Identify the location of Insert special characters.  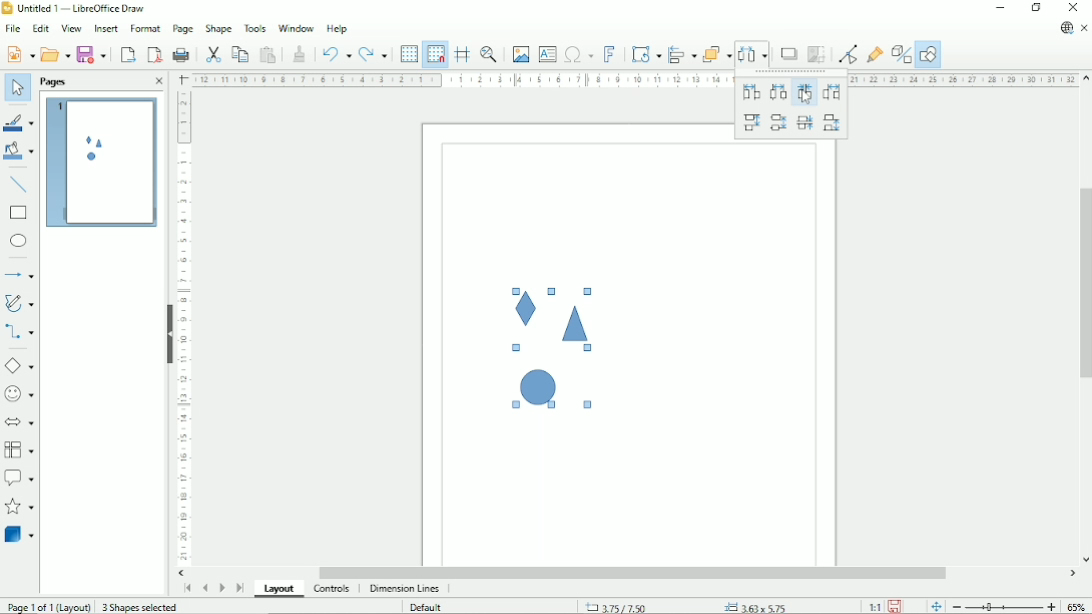
(578, 54).